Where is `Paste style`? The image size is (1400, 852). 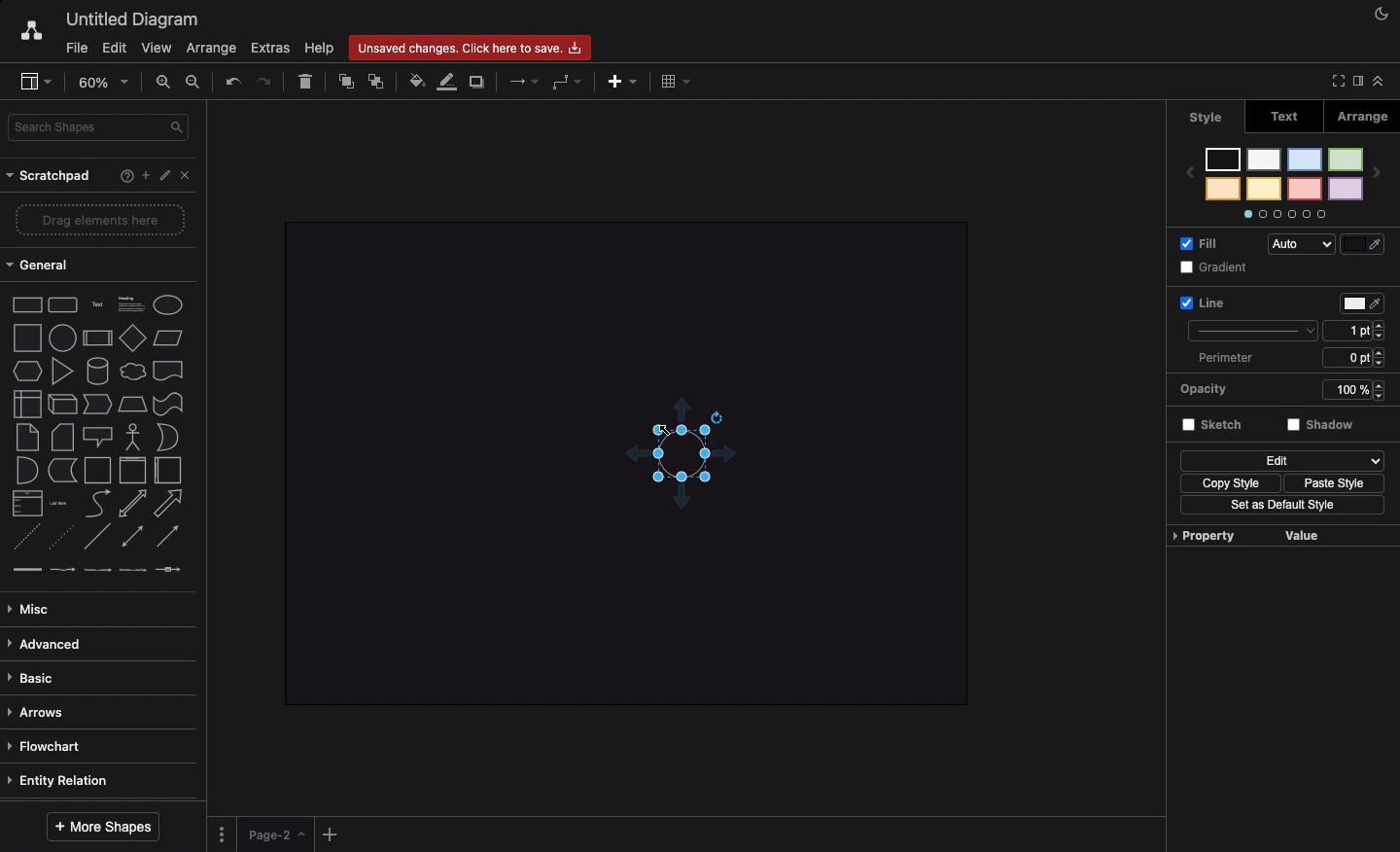 Paste style is located at coordinates (1339, 482).